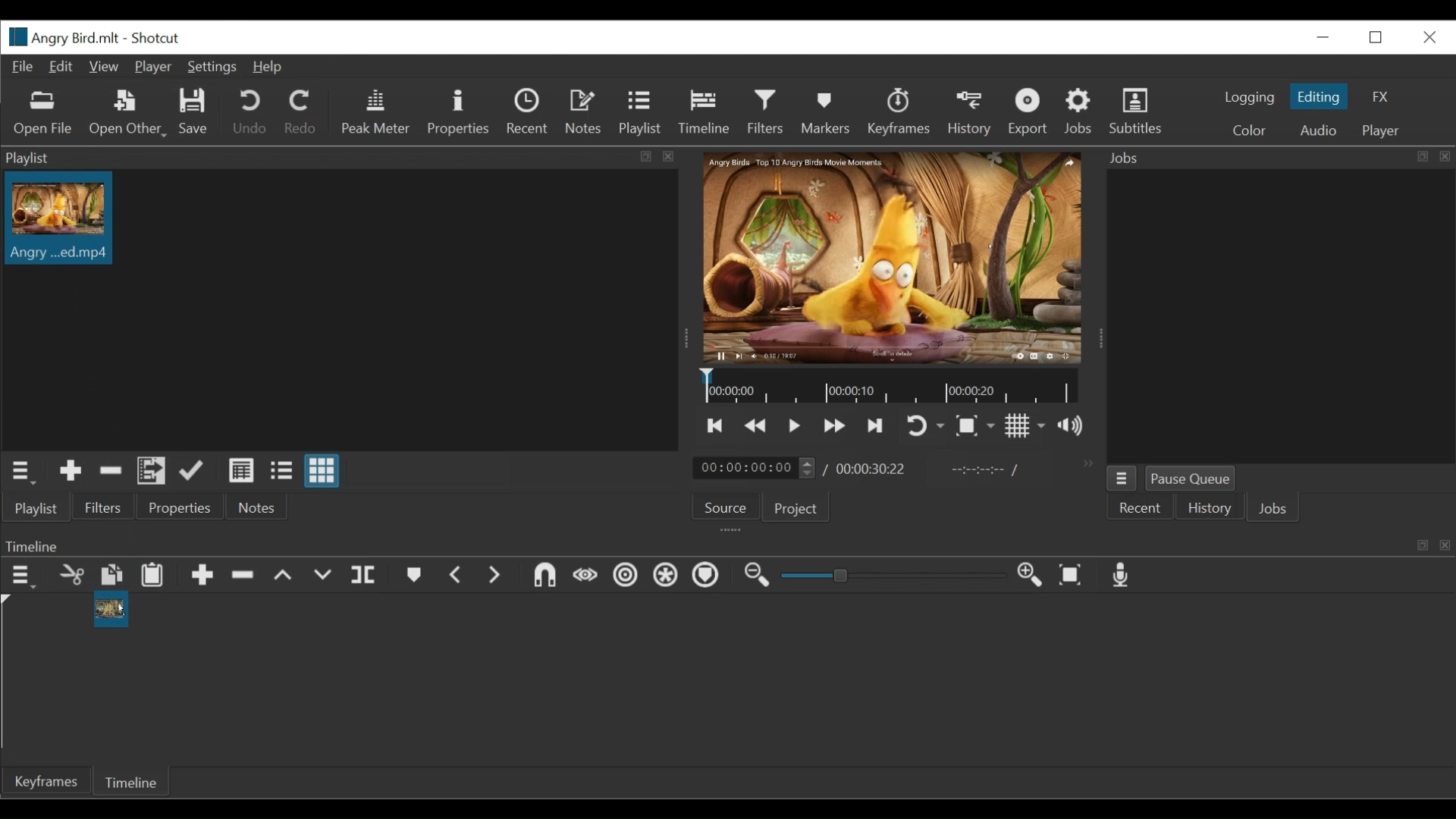 The width and height of the screenshot is (1456, 819). What do you see at coordinates (1125, 576) in the screenshot?
I see `Record audio` at bounding box center [1125, 576].